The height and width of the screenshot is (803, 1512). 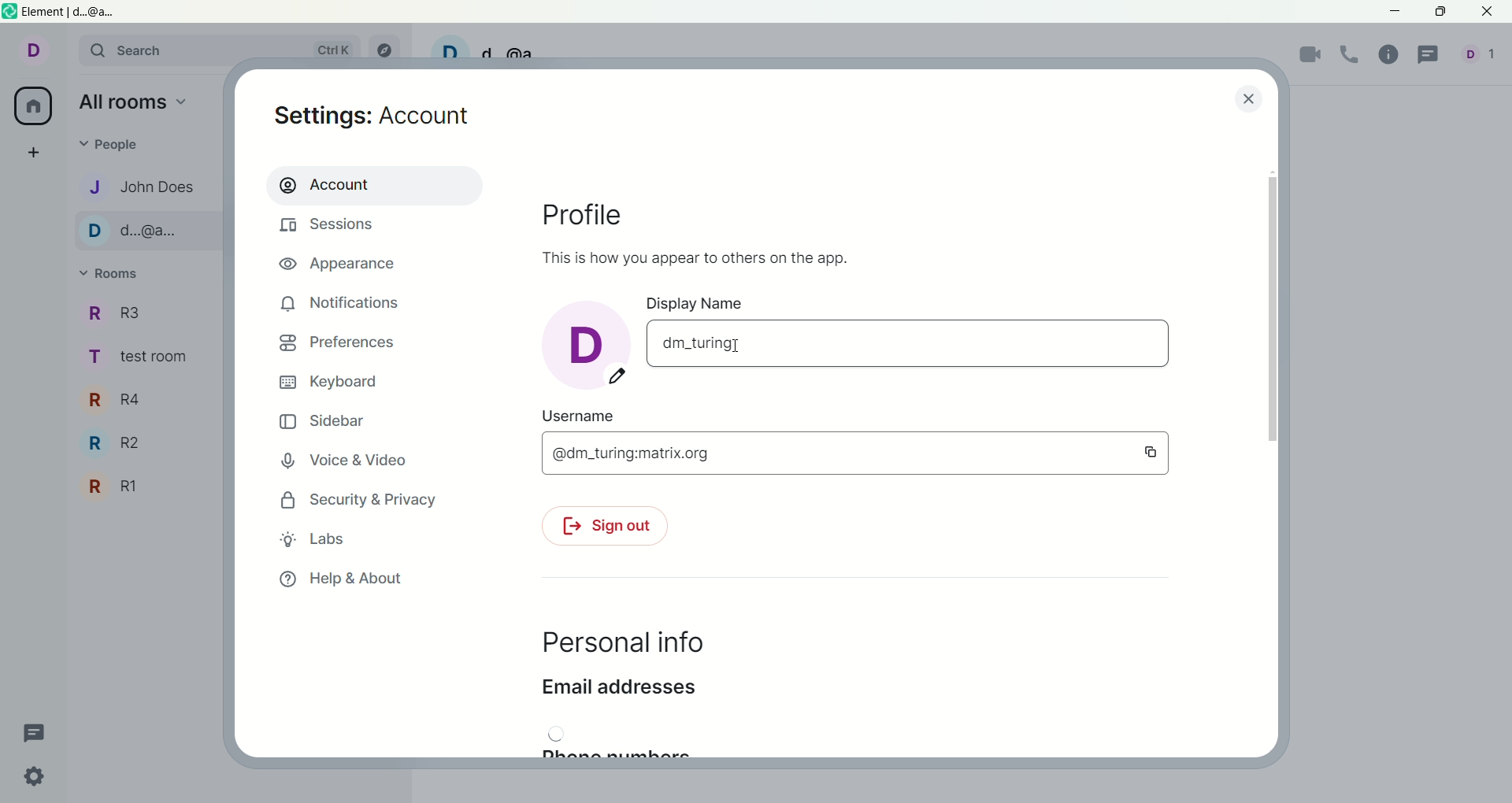 I want to click on close, so click(x=1489, y=13).